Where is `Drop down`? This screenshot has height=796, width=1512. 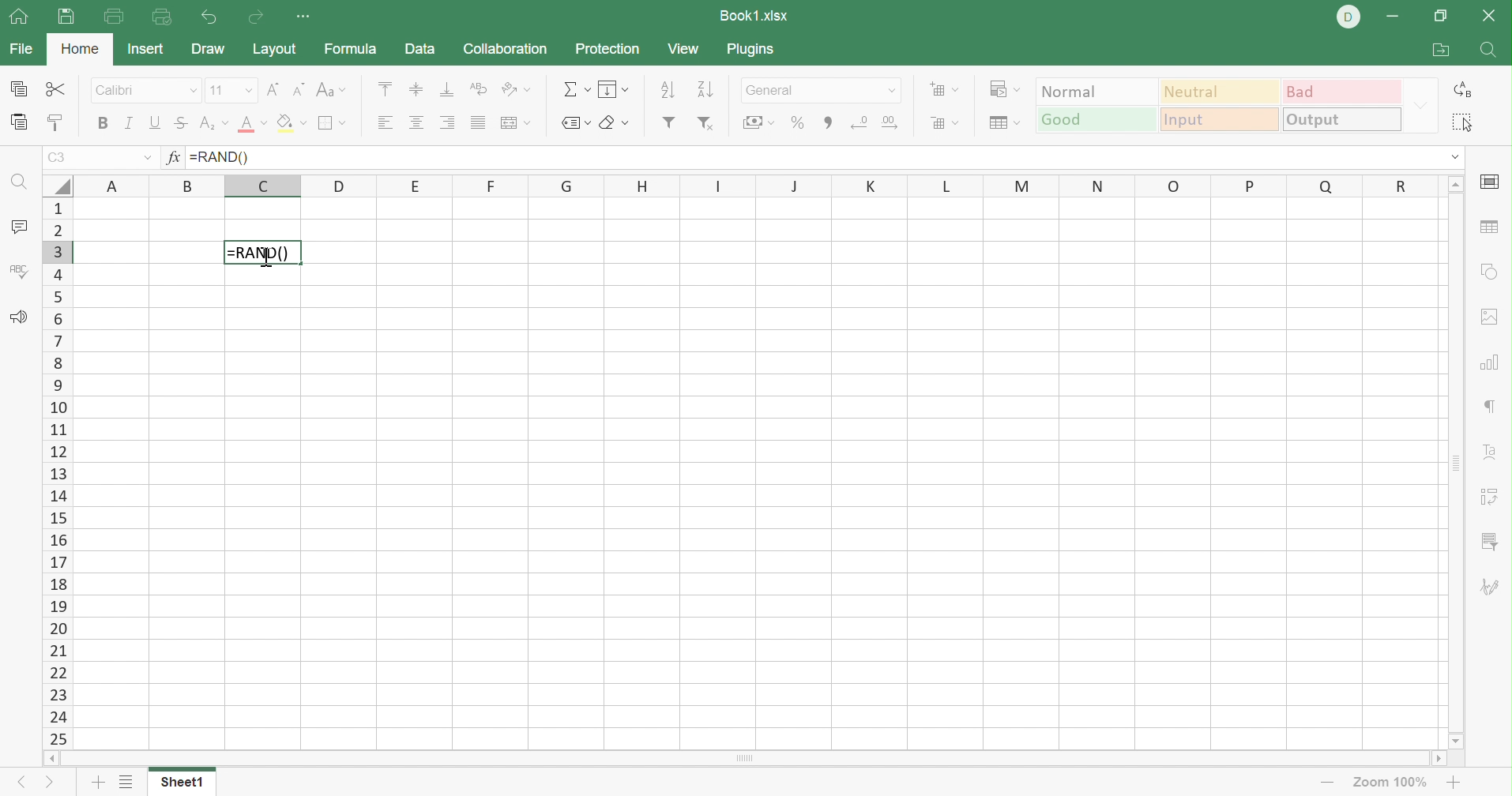
Drop down is located at coordinates (894, 91).